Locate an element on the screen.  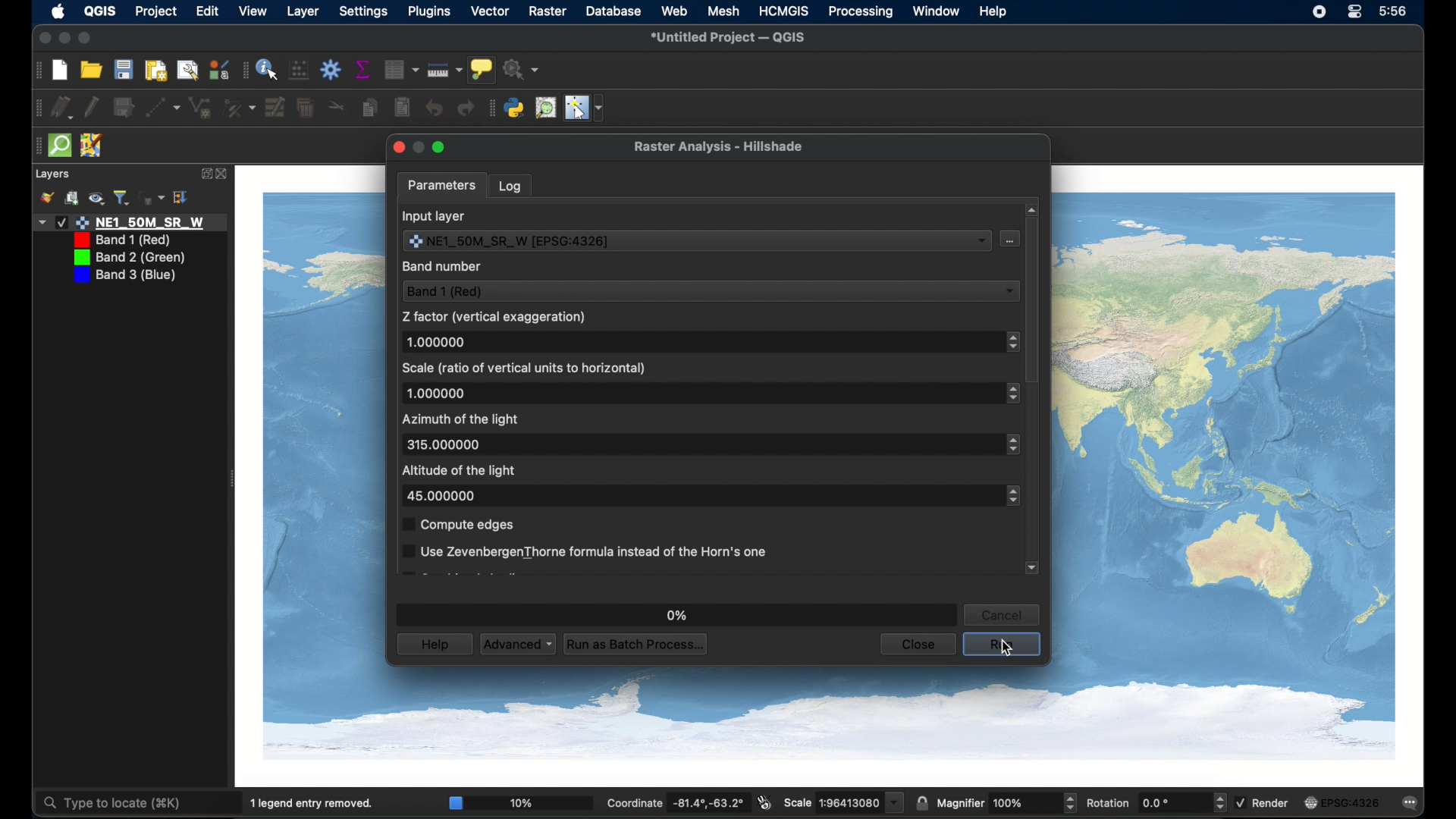
help is located at coordinates (994, 12).